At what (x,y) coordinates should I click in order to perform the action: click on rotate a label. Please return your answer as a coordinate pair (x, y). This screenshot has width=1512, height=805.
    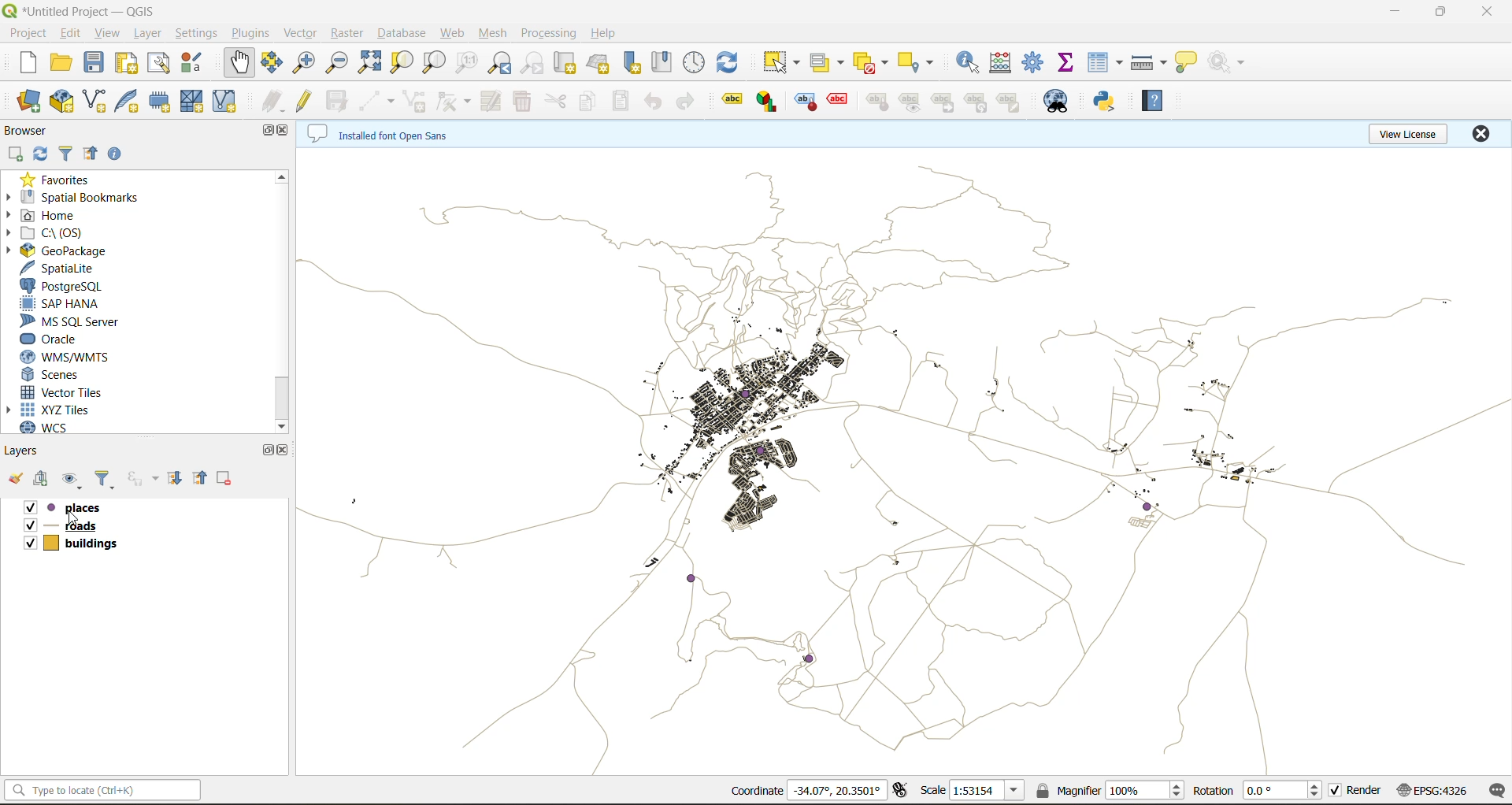
    Looking at the image, I should click on (979, 102).